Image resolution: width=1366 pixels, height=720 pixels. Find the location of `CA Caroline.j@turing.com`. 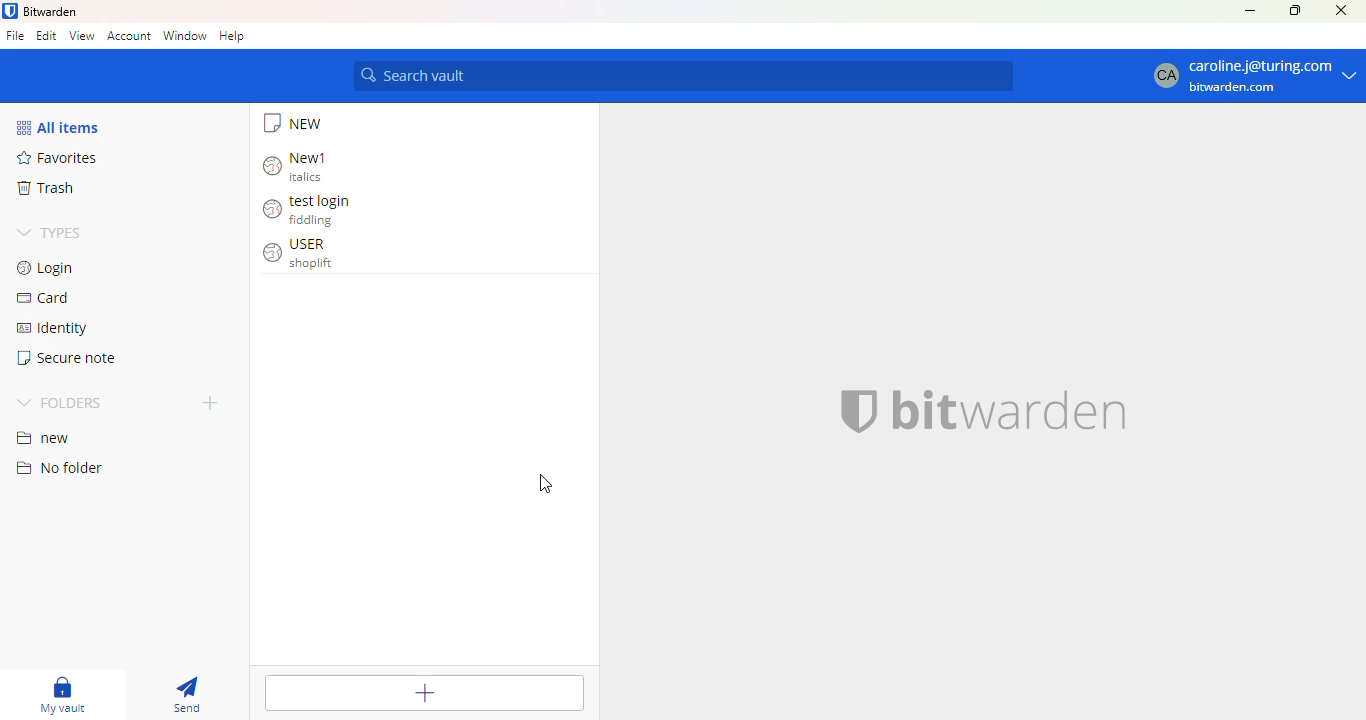

CA Caroline.j@turing.com is located at coordinates (1256, 77).